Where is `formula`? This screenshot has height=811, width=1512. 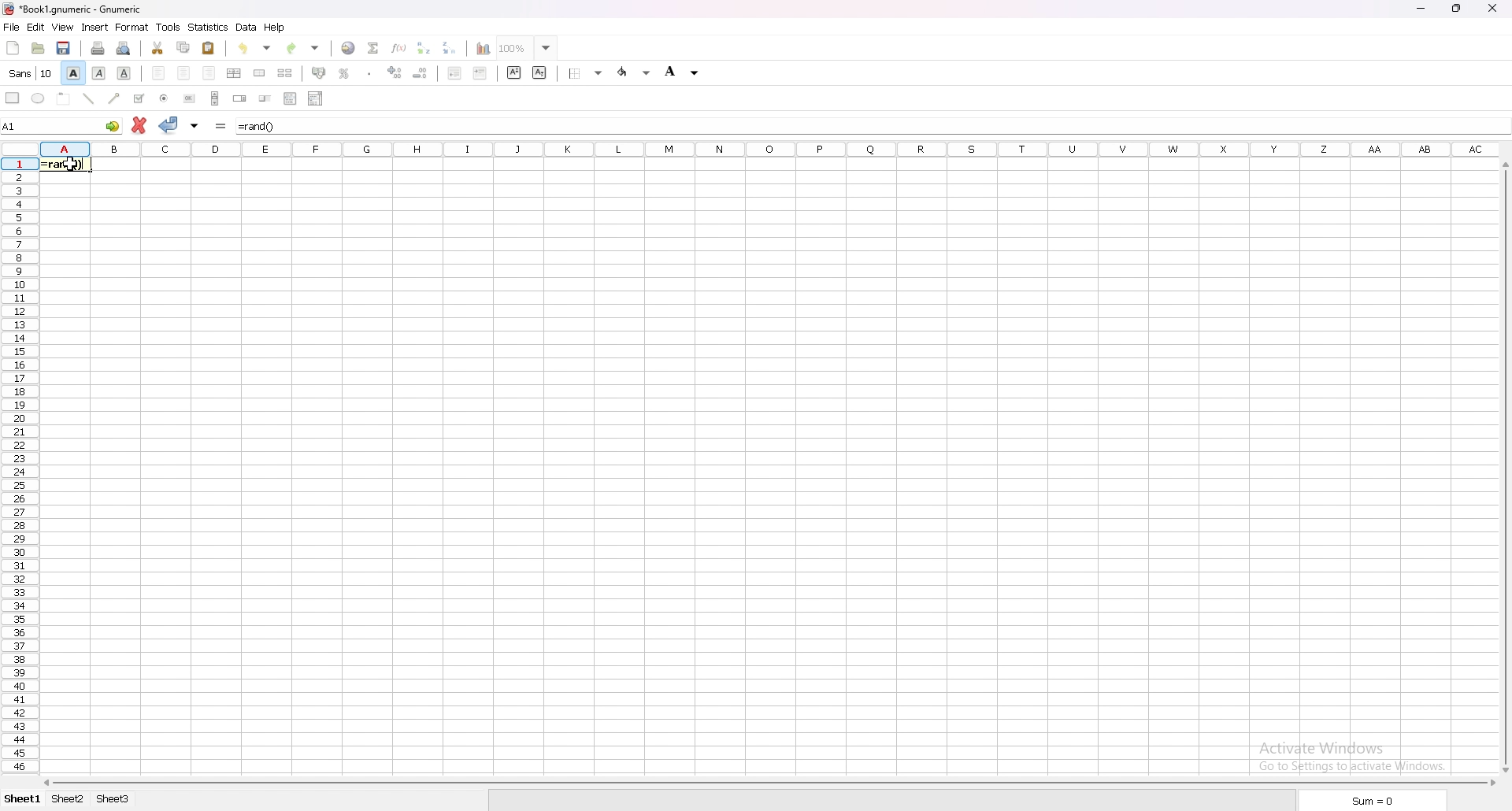
formula is located at coordinates (258, 127).